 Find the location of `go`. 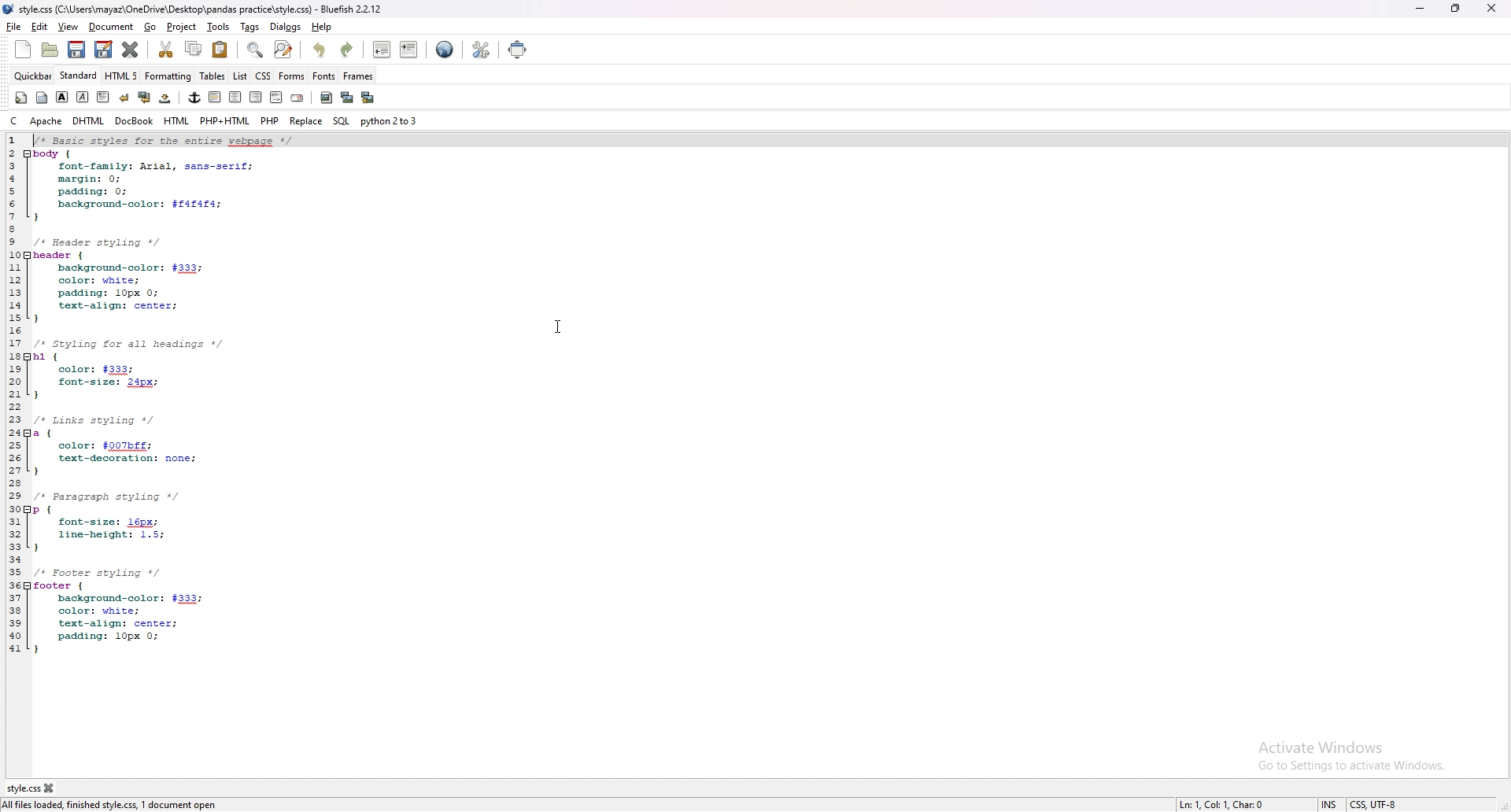

go is located at coordinates (152, 27).